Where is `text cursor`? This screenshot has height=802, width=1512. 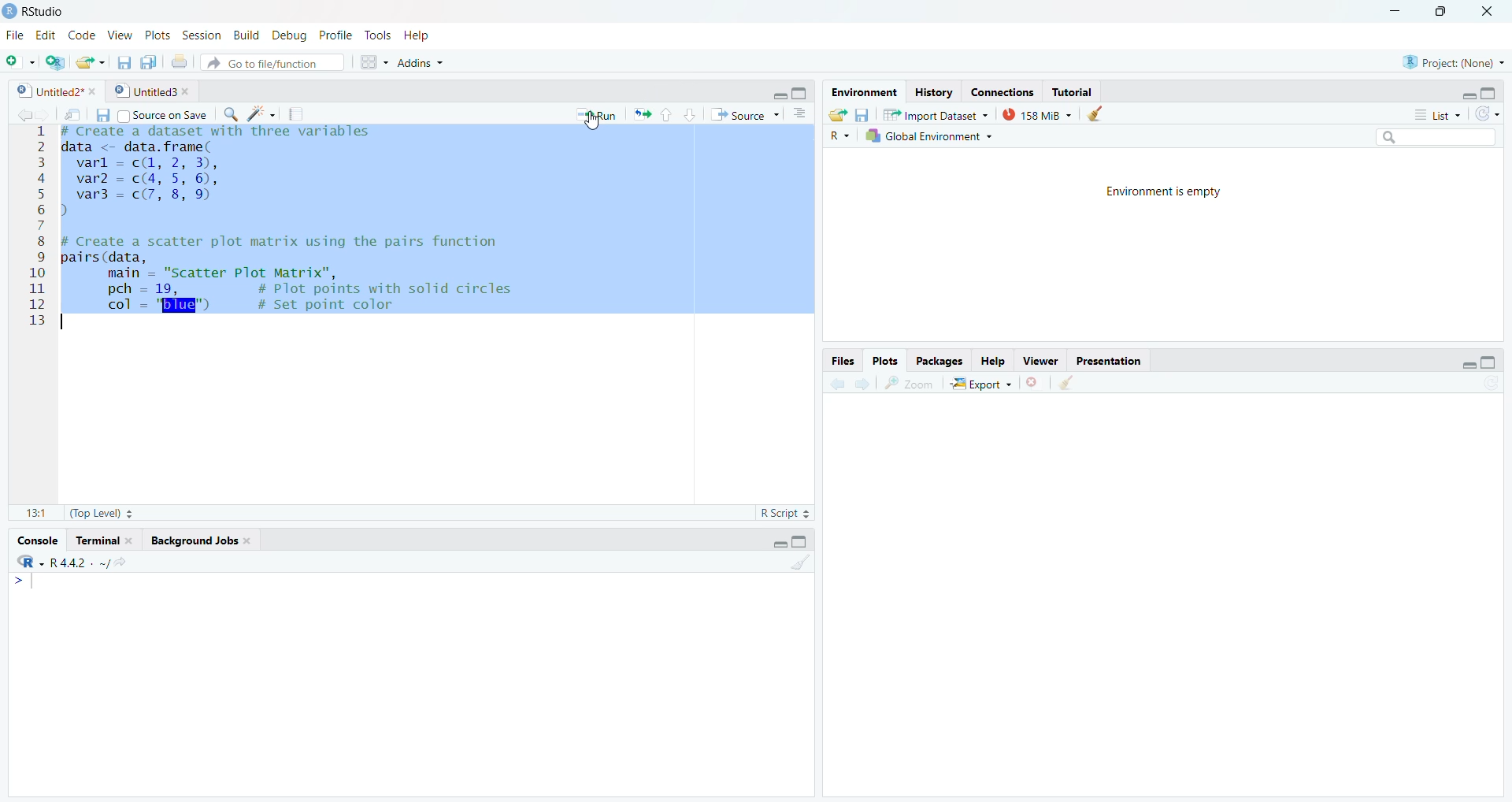 text cursor is located at coordinates (277, 463).